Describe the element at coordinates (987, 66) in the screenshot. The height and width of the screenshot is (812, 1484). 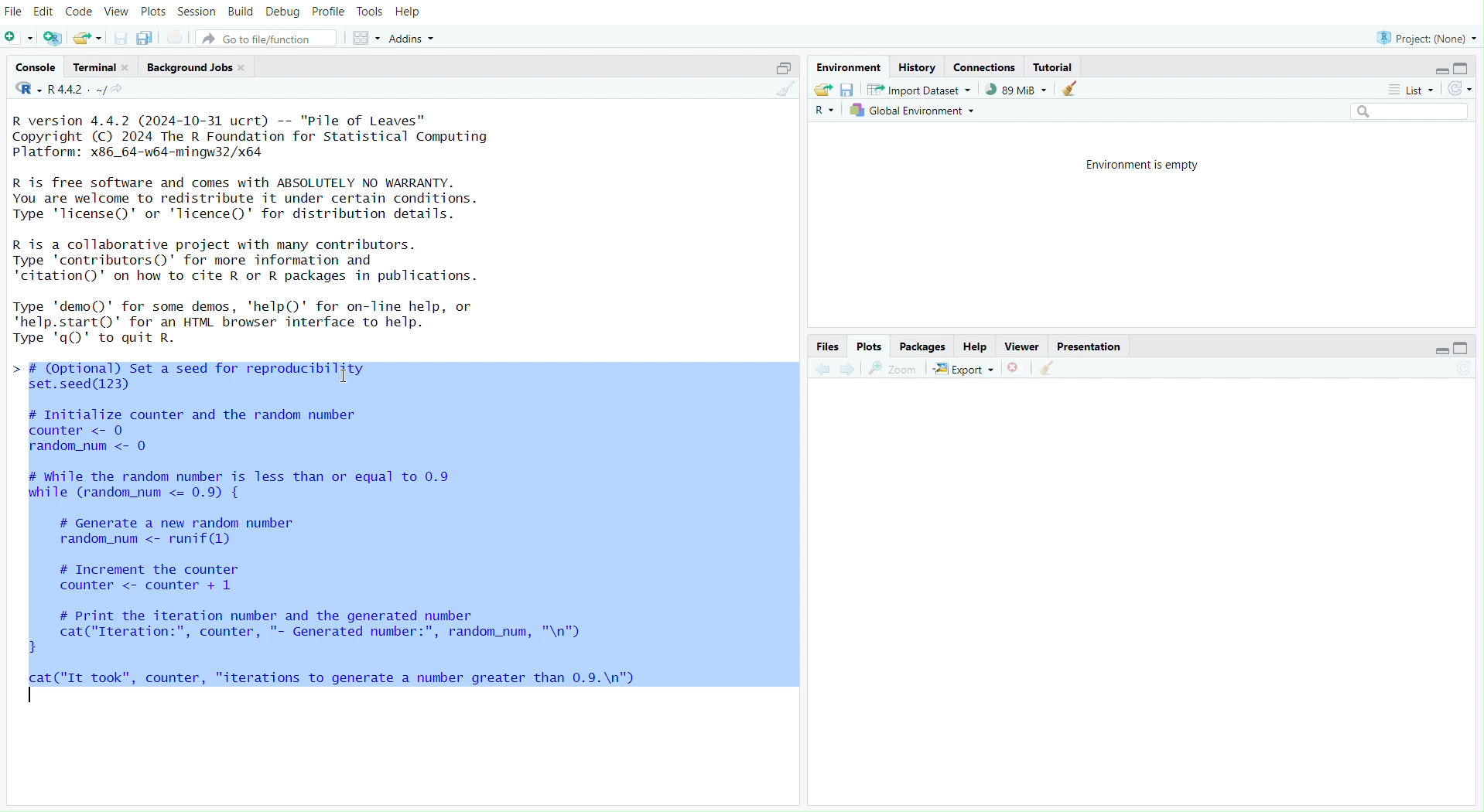
I see `Connections` at that location.